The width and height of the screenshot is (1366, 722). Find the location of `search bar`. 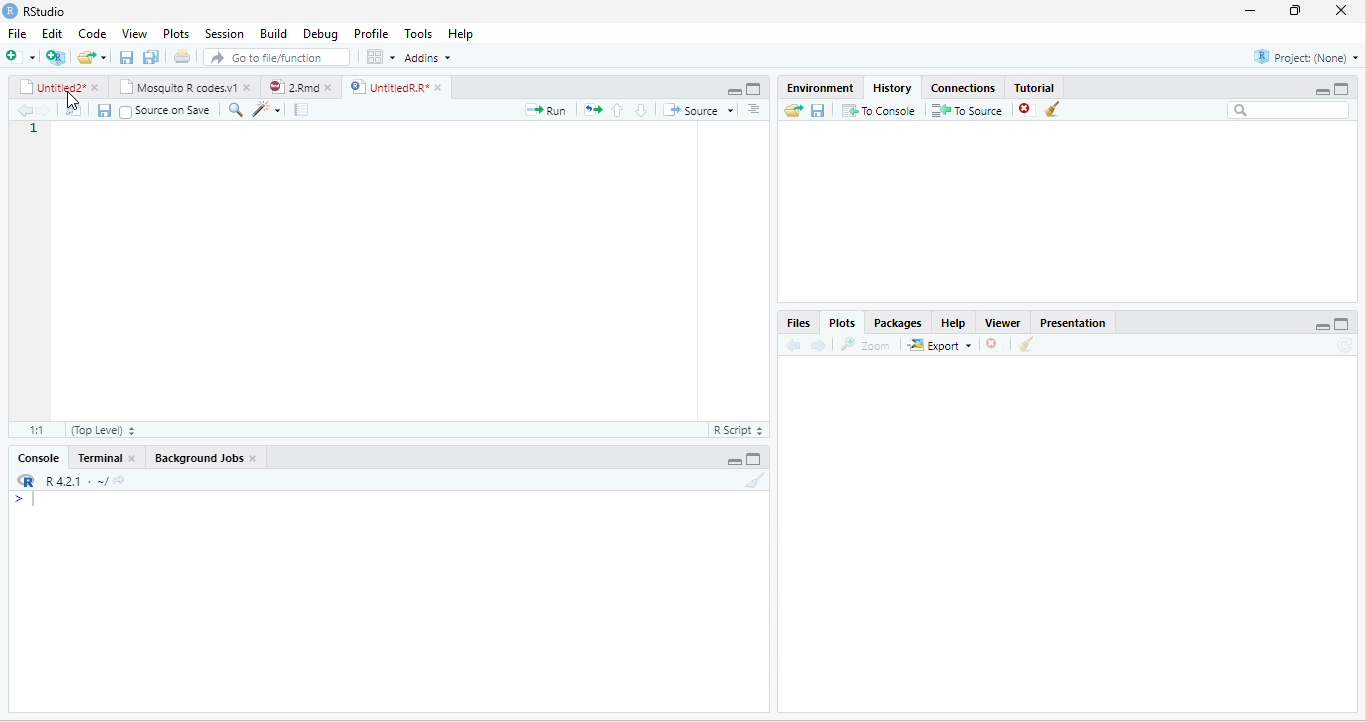

search bar is located at coordinates (1289, 111).